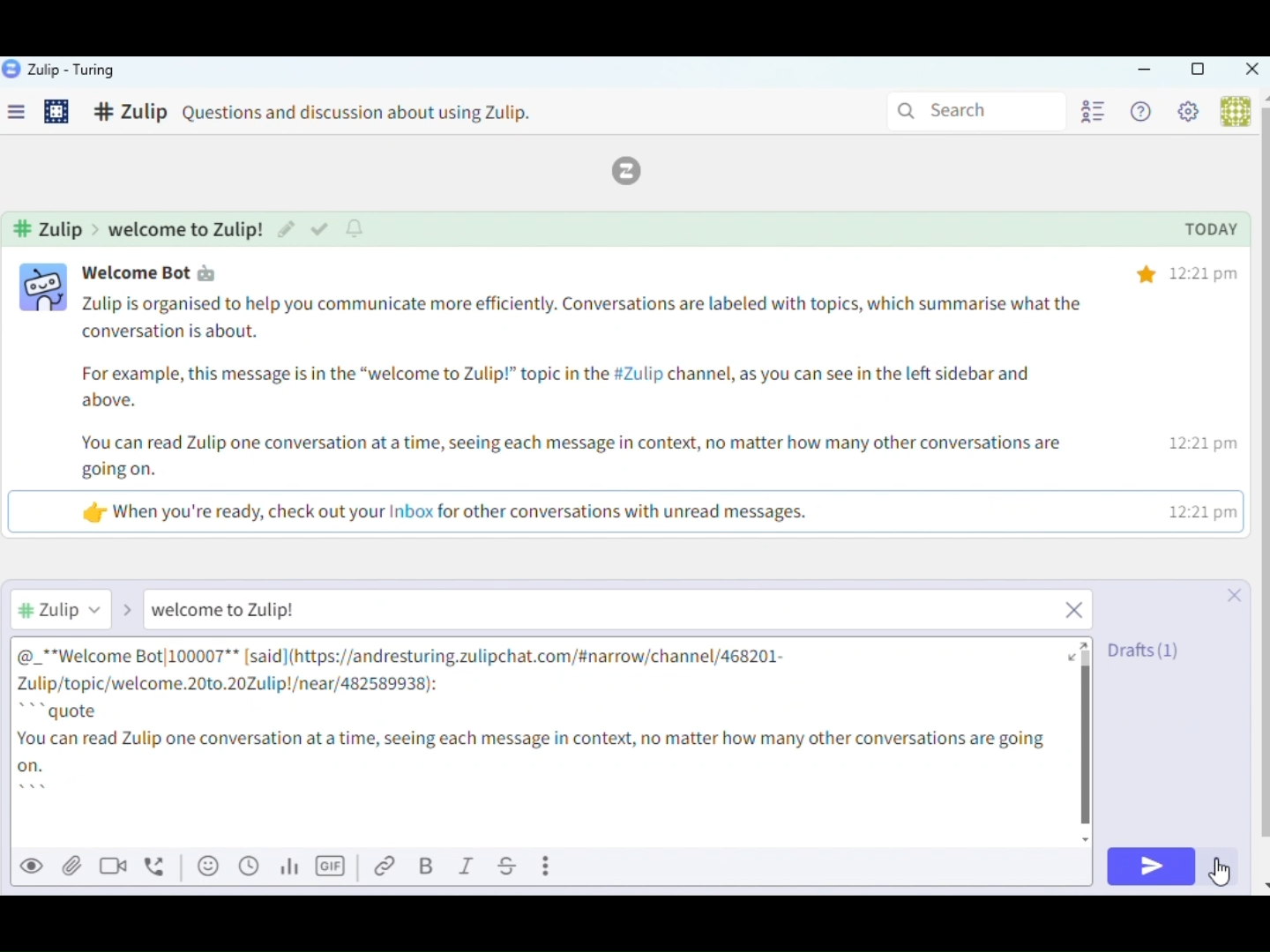  Describe the element at coordinates (285, 228) in the screenshot. I see `edit` at that location.